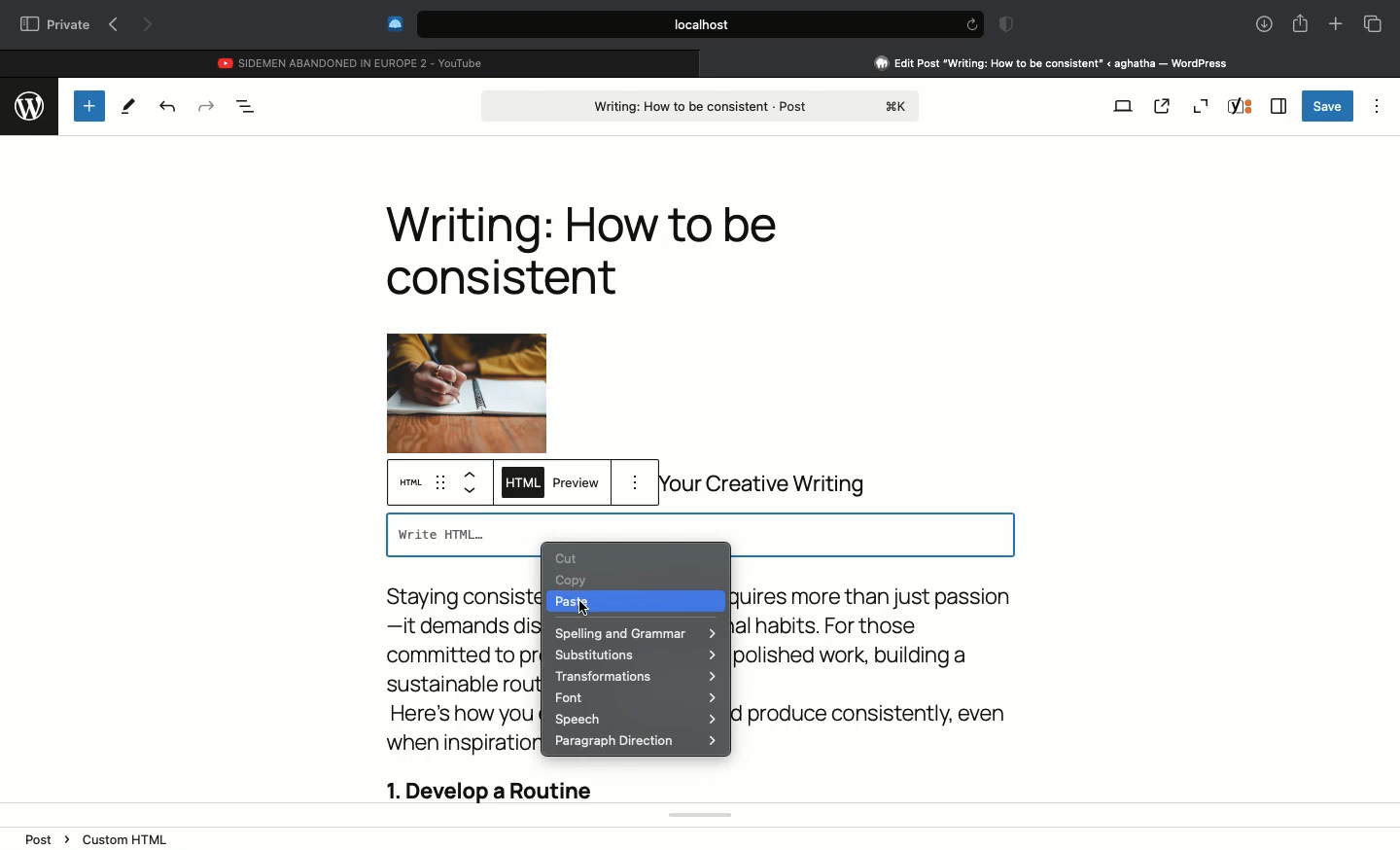  What do you see at coordinates (150, 26) in the screenshot?
I see `Next page` at bounding box center [150, 26].